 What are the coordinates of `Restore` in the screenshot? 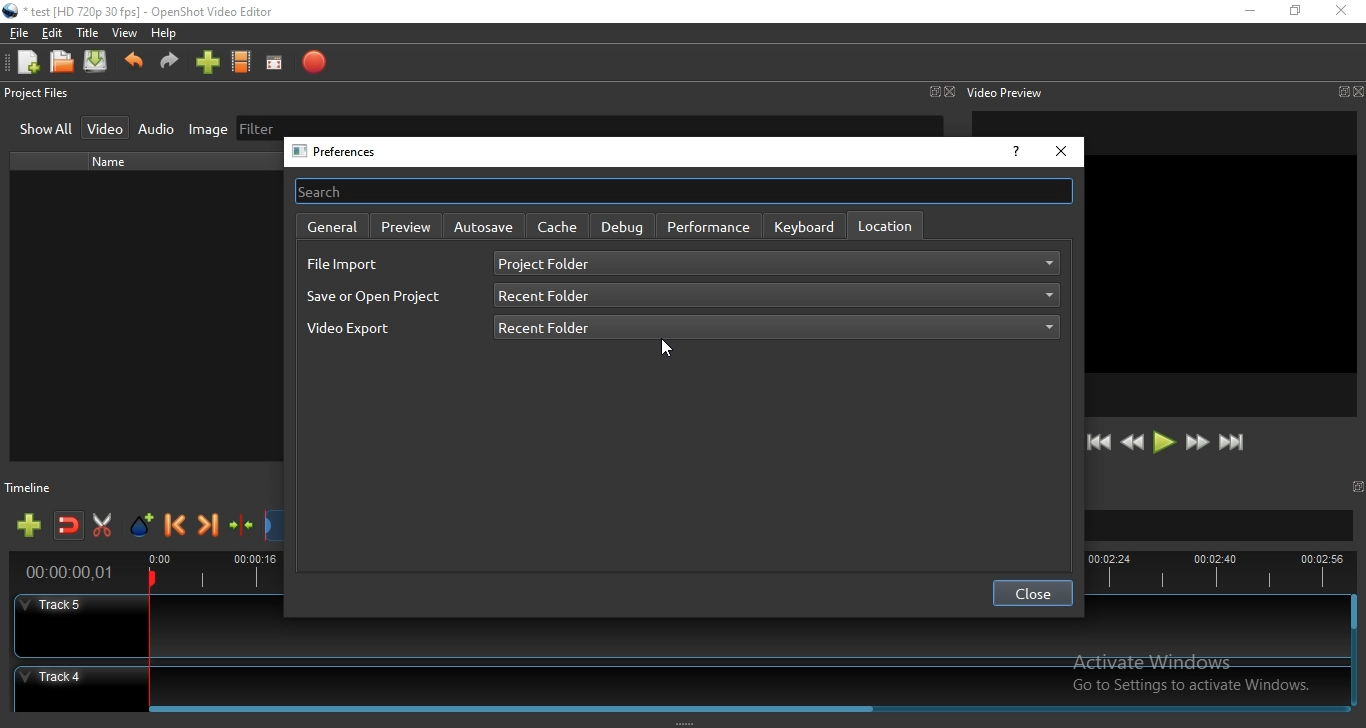 It's located at (1295, 11).